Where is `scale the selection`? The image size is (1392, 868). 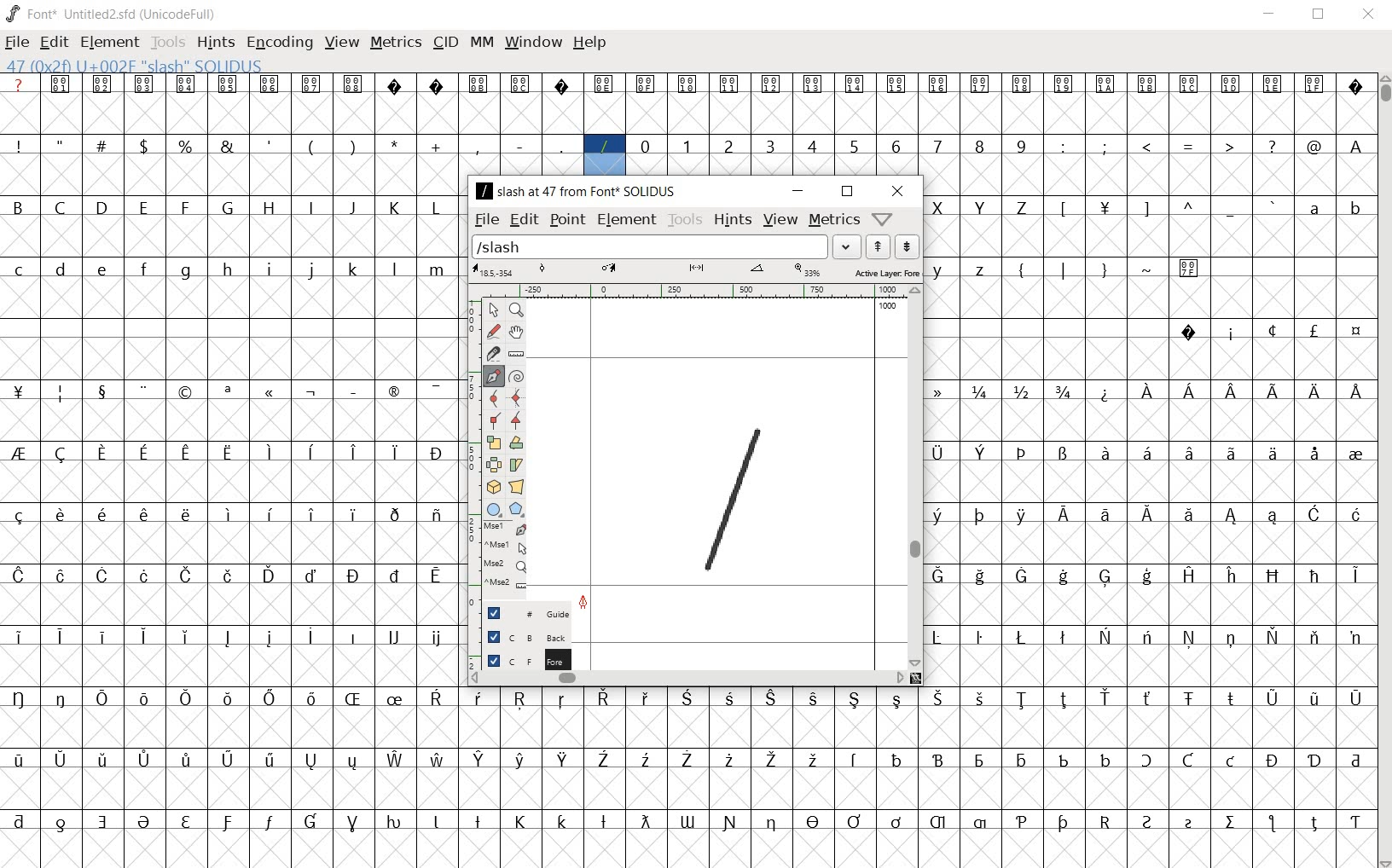 scale the selection is located at coordinates (492, 443).